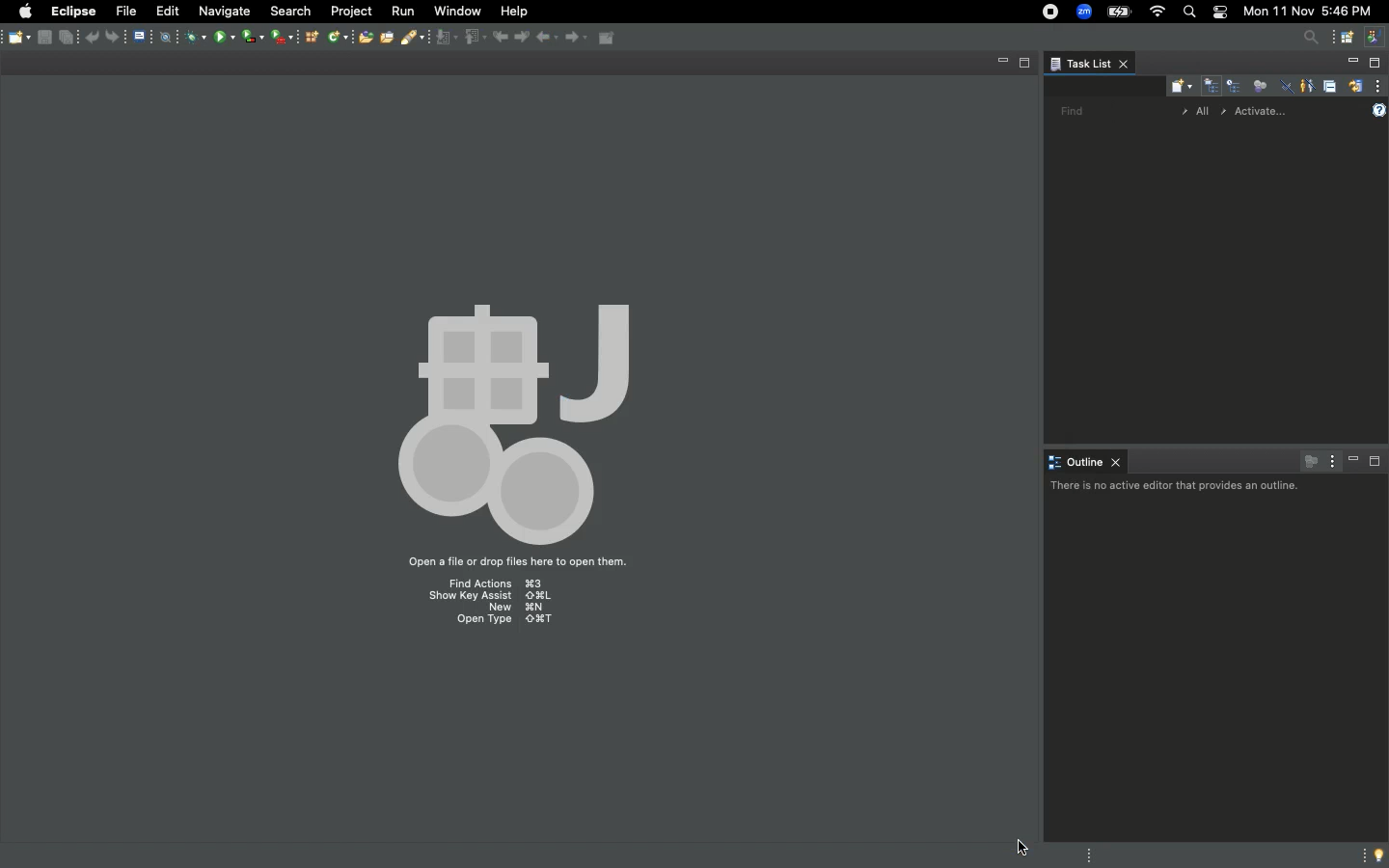 This screenshot has width=1389, height=868. I want to click on Scheduled, so click(1233, 85).